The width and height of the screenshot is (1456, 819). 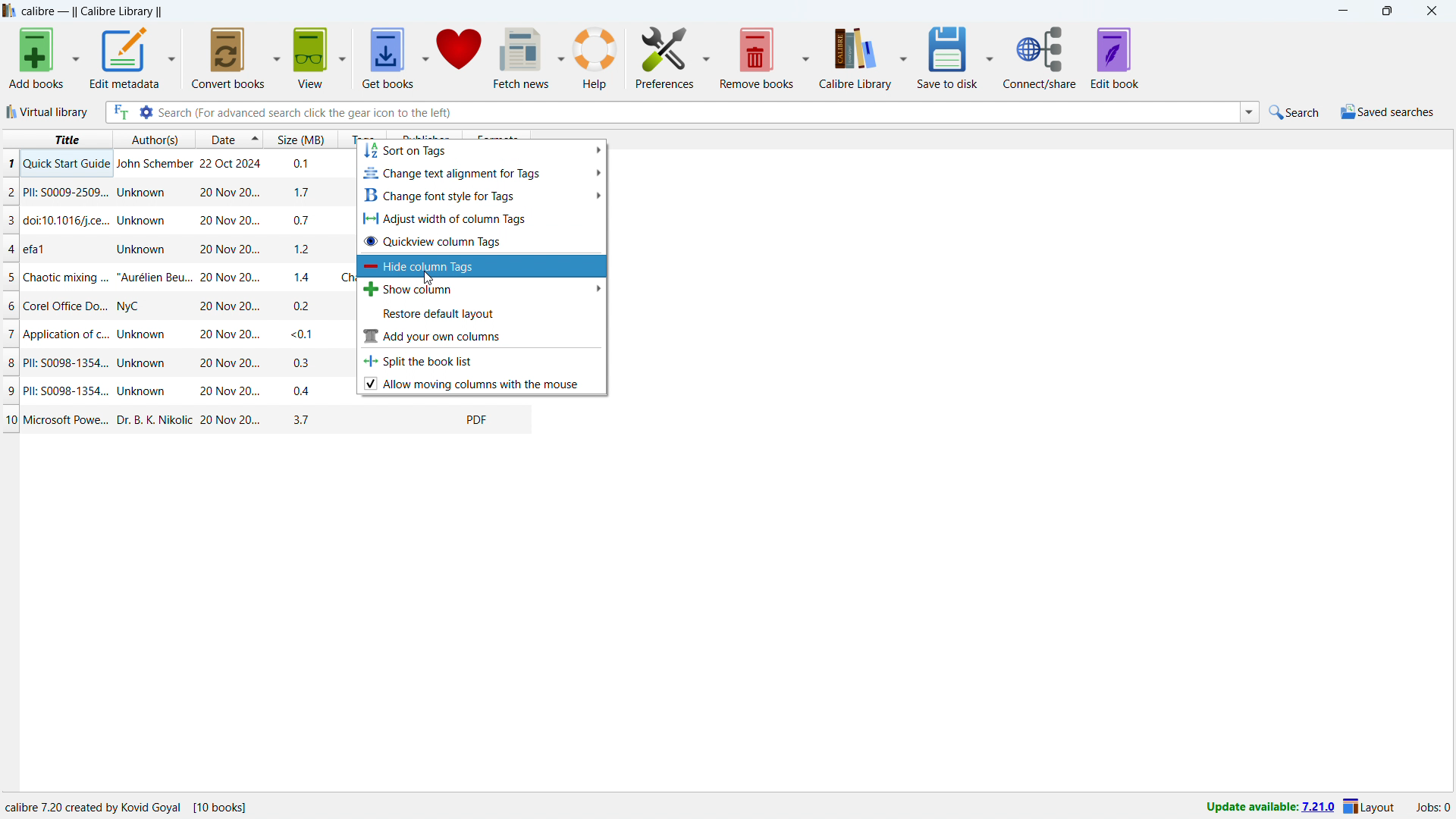 What do you see at coordinates (1339, 11) in the screenshot?
I see `minimize` at bounding box center [1339, 11].